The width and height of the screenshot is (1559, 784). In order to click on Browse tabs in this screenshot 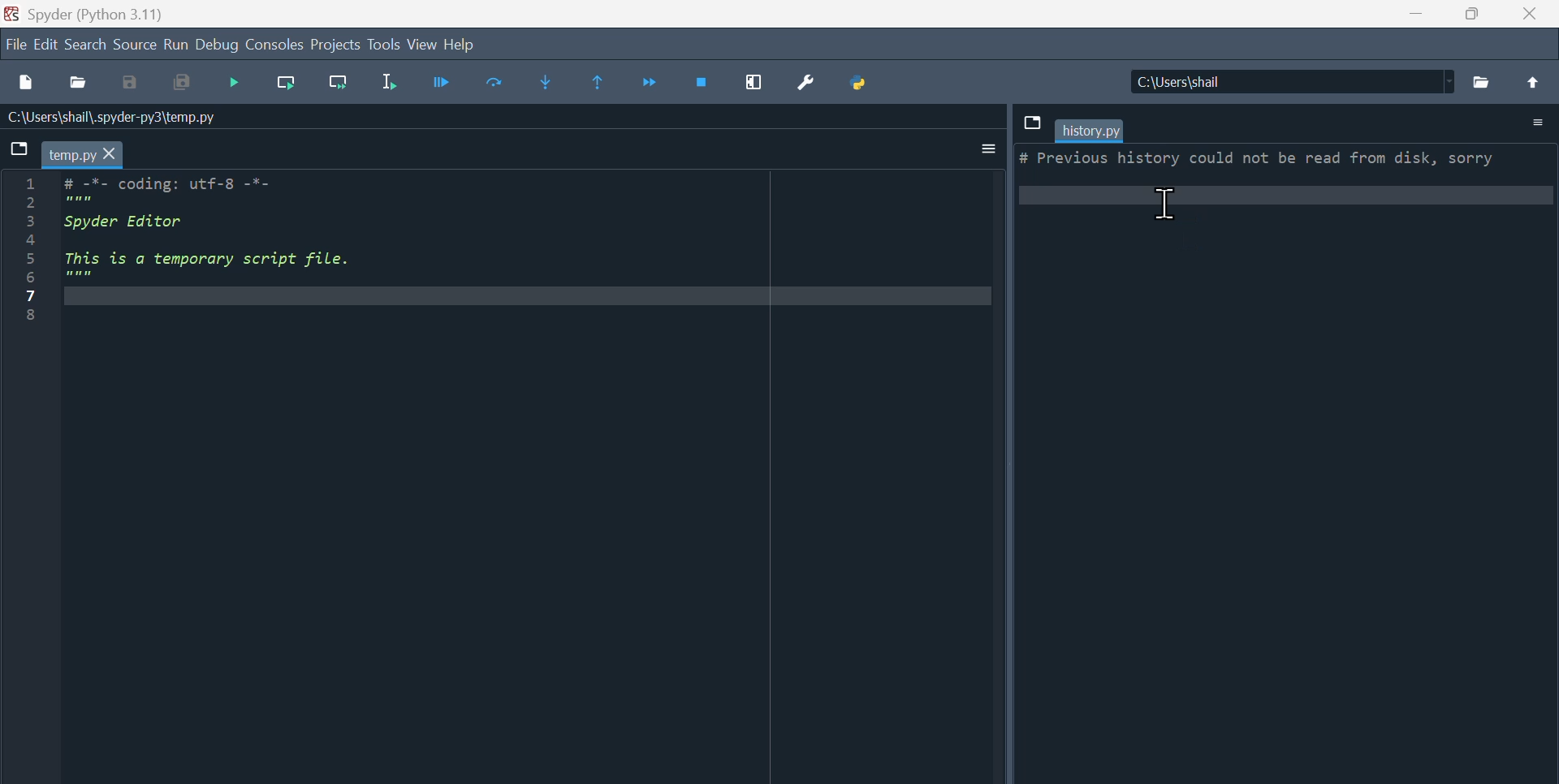, I will do `click(21, 153)`.